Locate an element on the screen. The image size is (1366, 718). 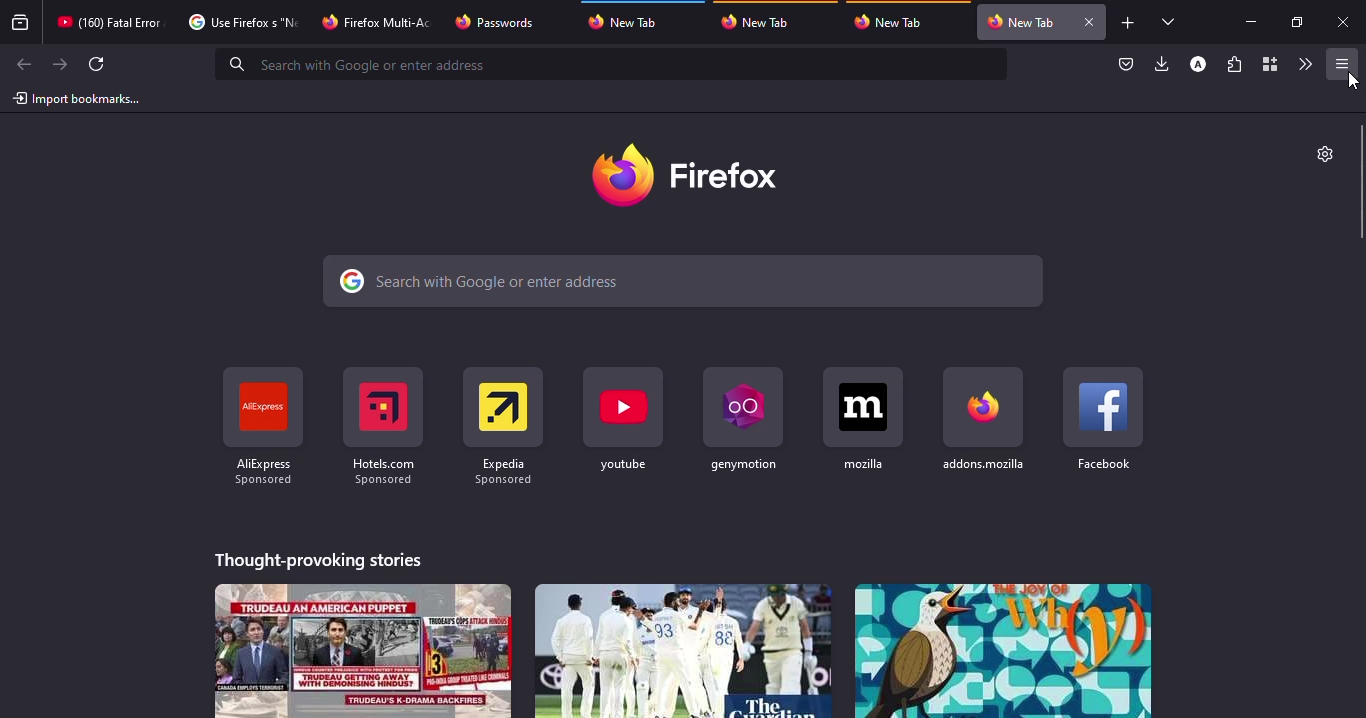
shortcut is located at coordinates (1104, 418).